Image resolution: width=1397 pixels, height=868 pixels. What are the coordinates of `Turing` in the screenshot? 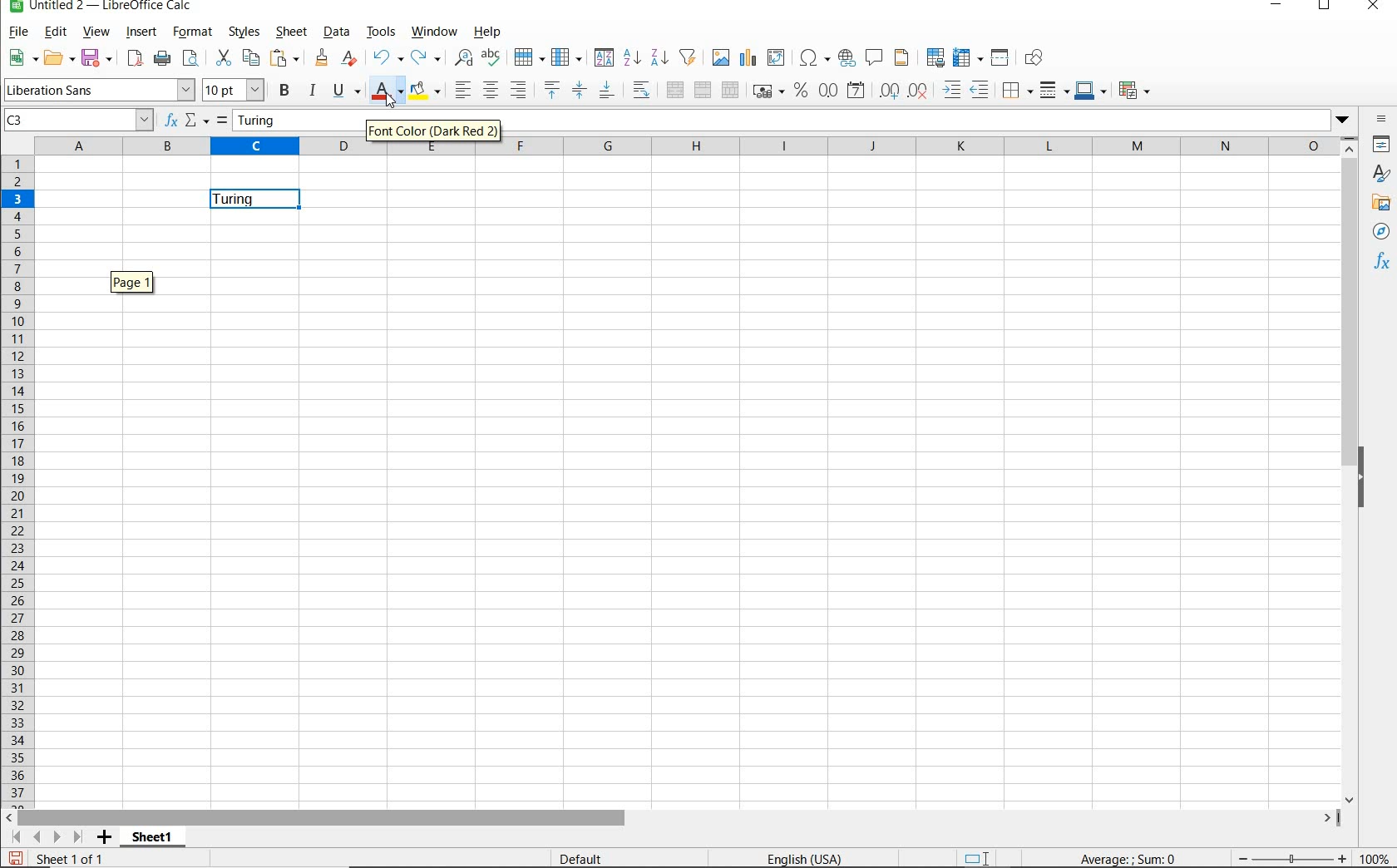 It's located at (255, 201).